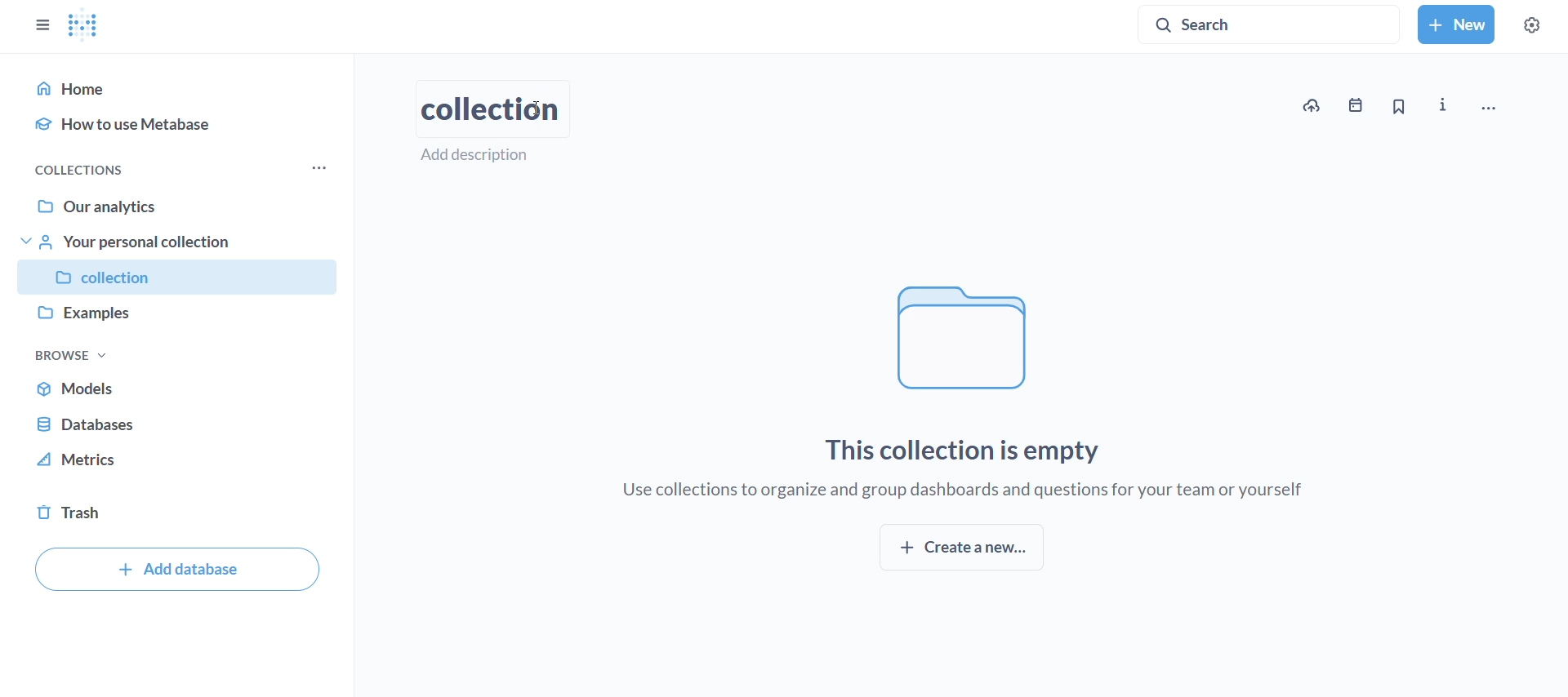 The height and width of the screenshot is (697, 1568). Describe the element at coordinates (968, 338) in the screenshot. I see `file logo` at that location.